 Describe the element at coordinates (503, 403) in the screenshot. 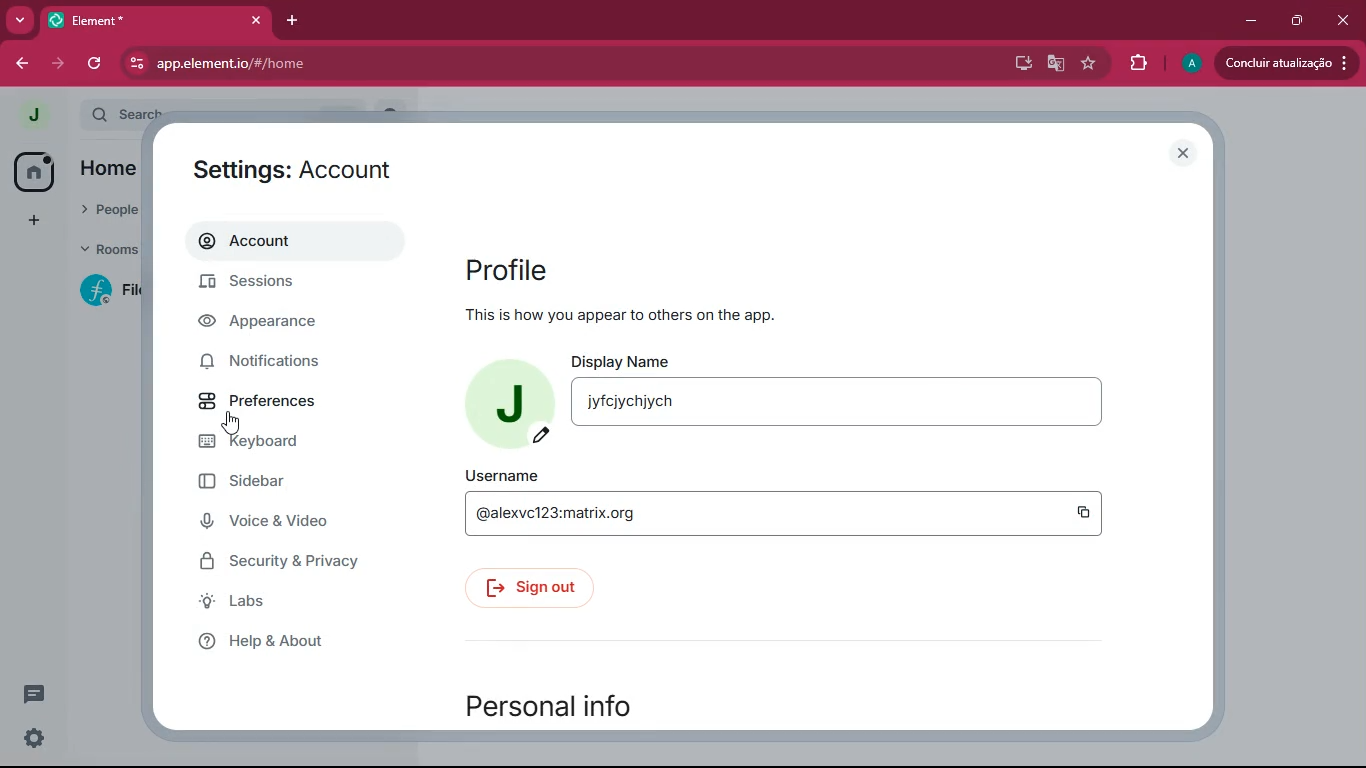

I see `profile picture` at that location.